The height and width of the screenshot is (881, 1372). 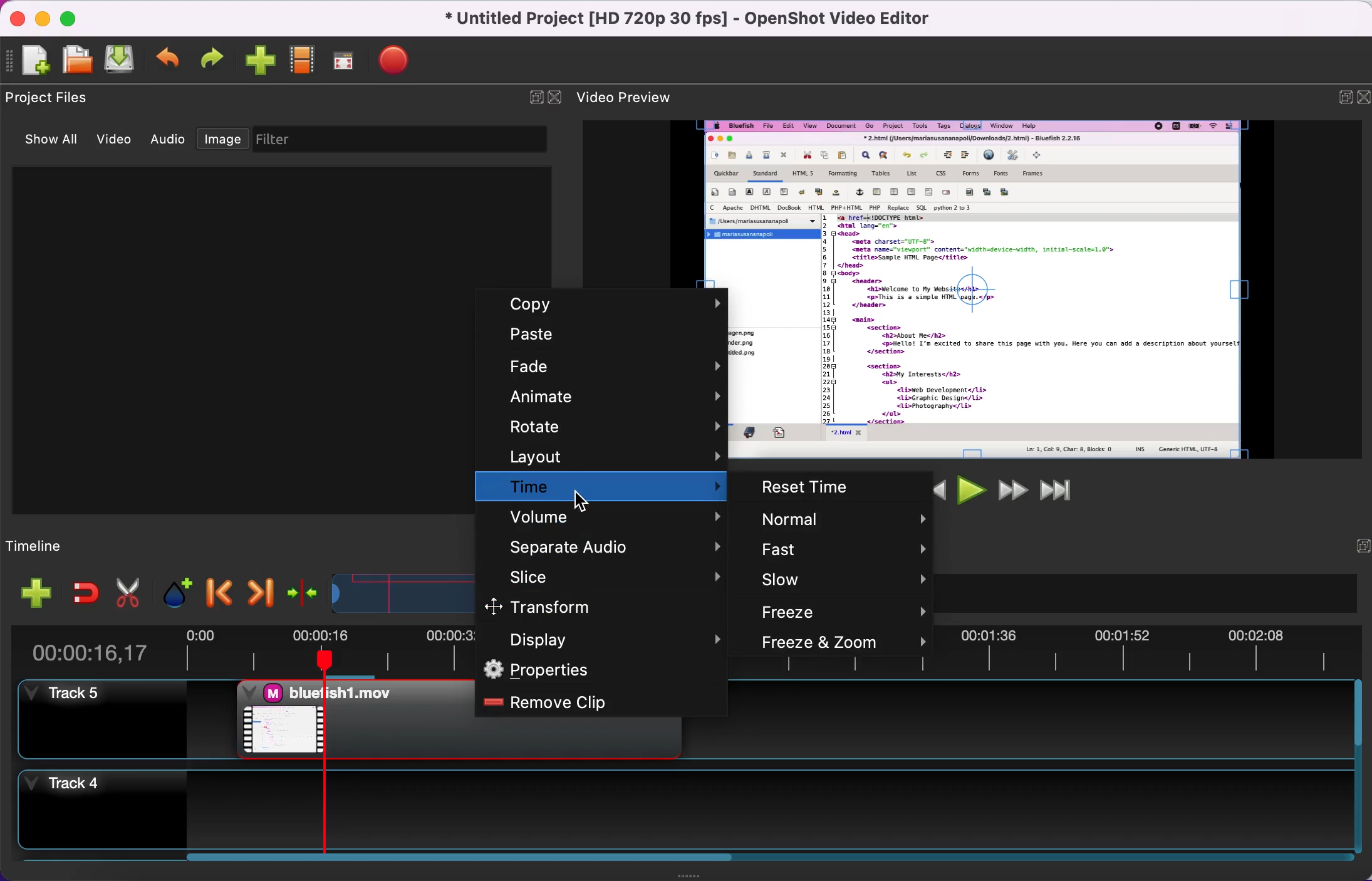 I want to click on play, so click(x=969, y=489).